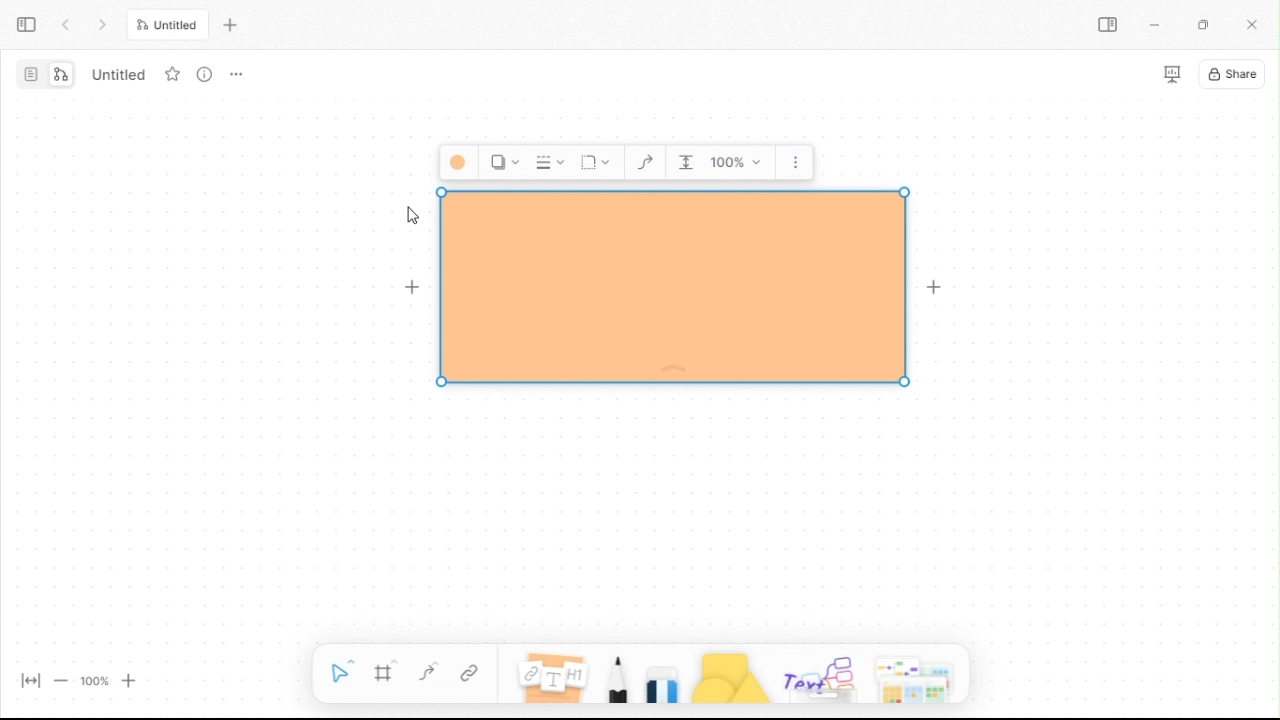 The height and width of the screenshot is (720, 1280). I want to click on options, so click(236, 75).